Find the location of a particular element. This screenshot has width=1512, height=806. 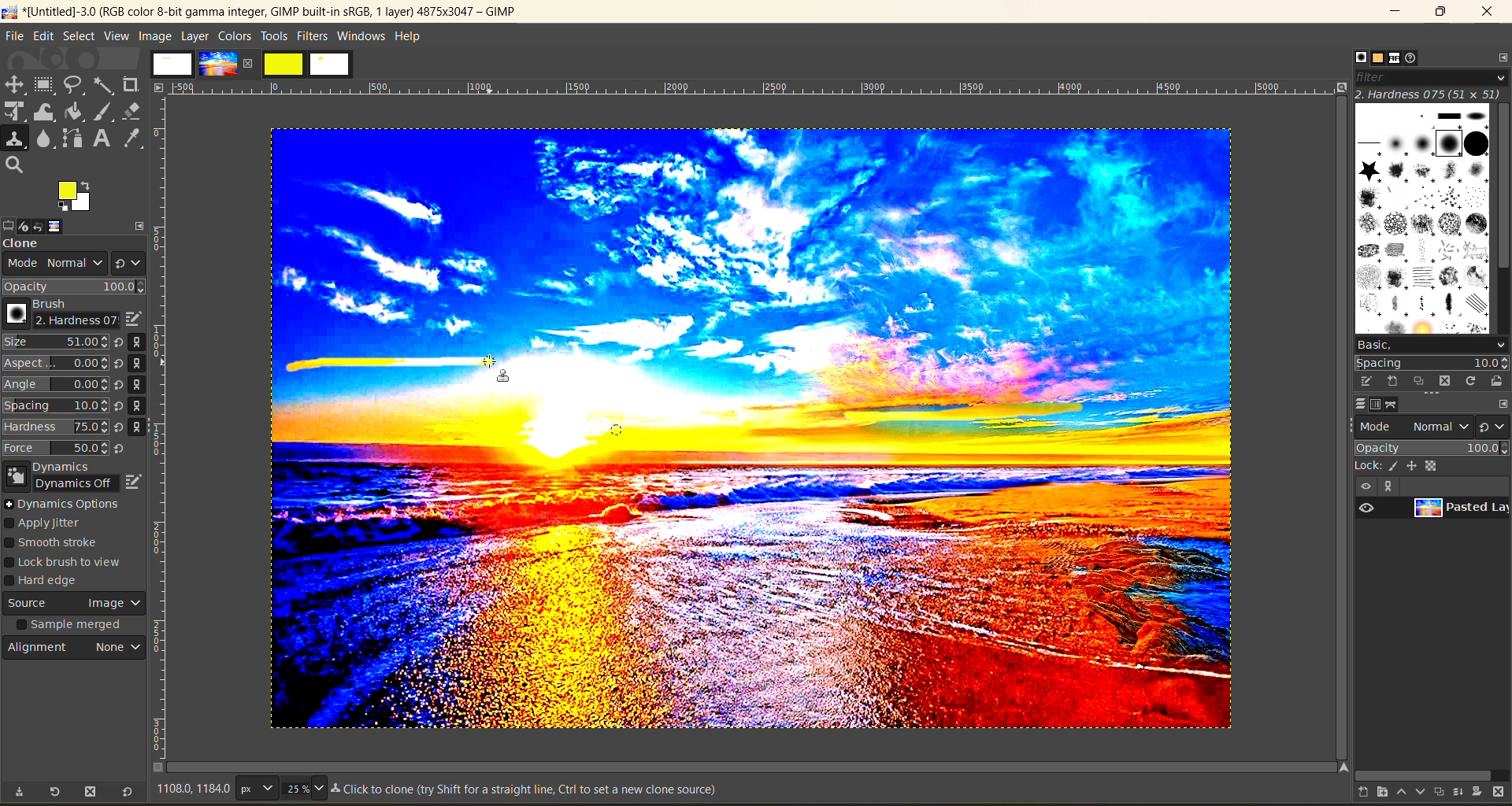

device status is located at coordinates (28, 224).